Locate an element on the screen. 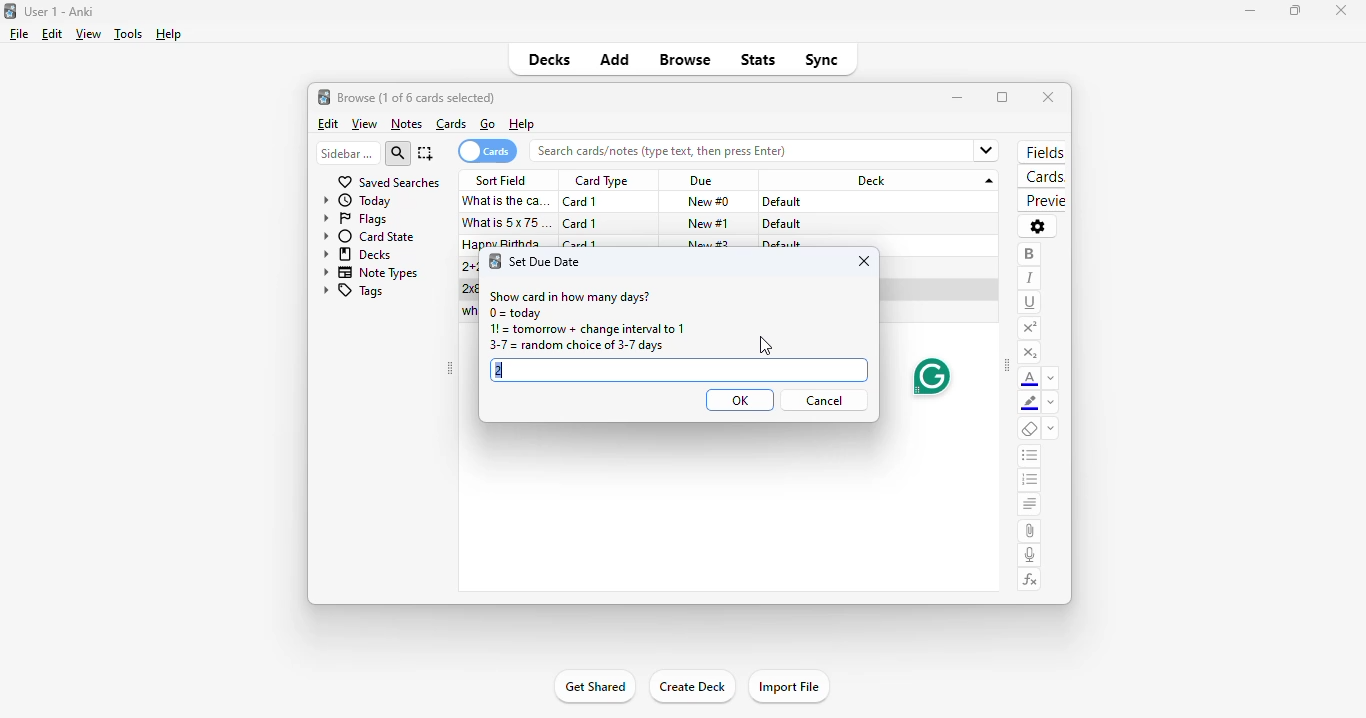  select formatting to remove is located at coordinates (1051, 430).